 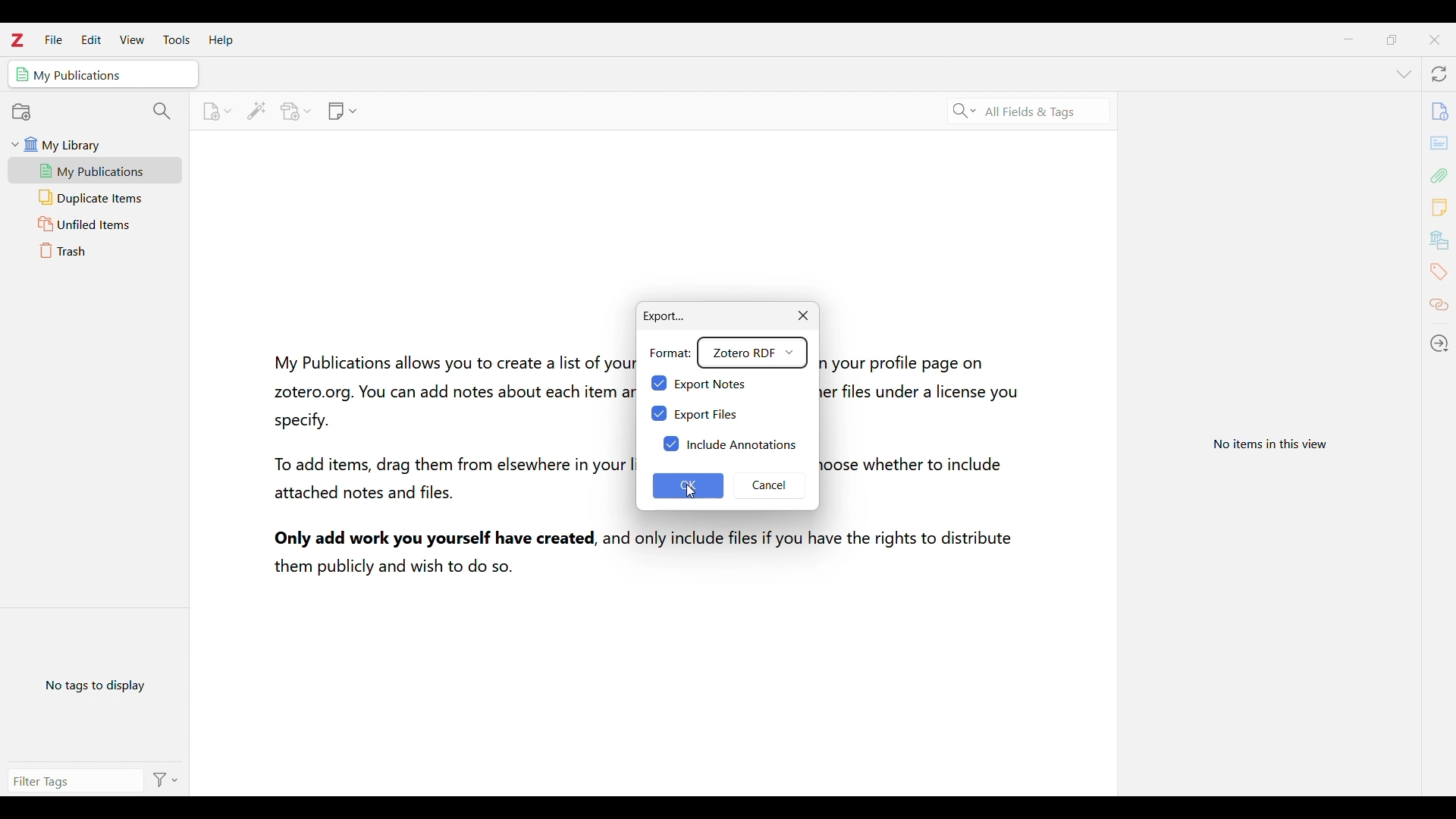 What do you see at coordinates (96, 198) in the screenshot?
I see `Duplicate items` at bounding box center [96, 198].